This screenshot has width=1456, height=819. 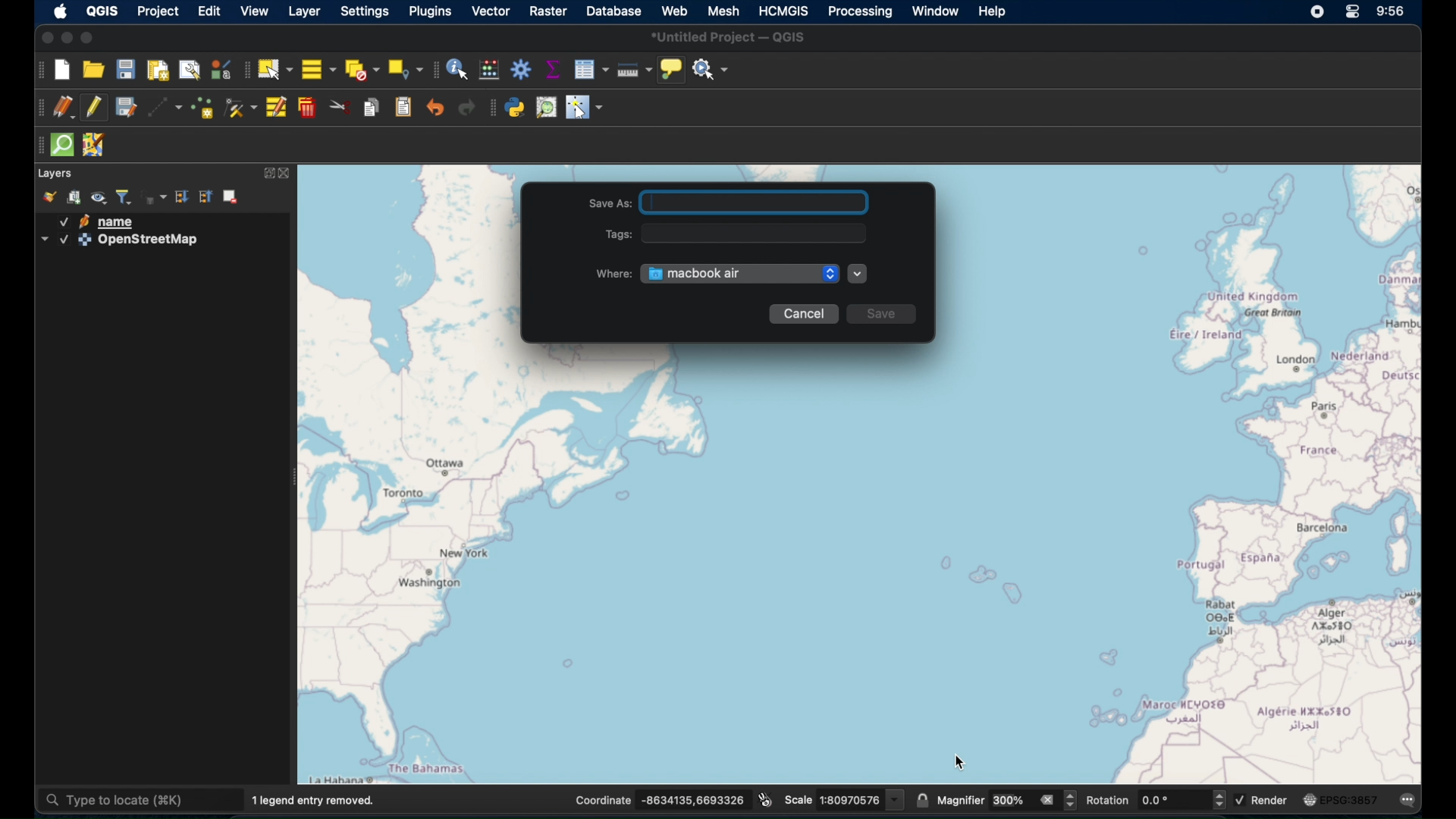 I want to click on QGIS, so click(x=102, y=11).